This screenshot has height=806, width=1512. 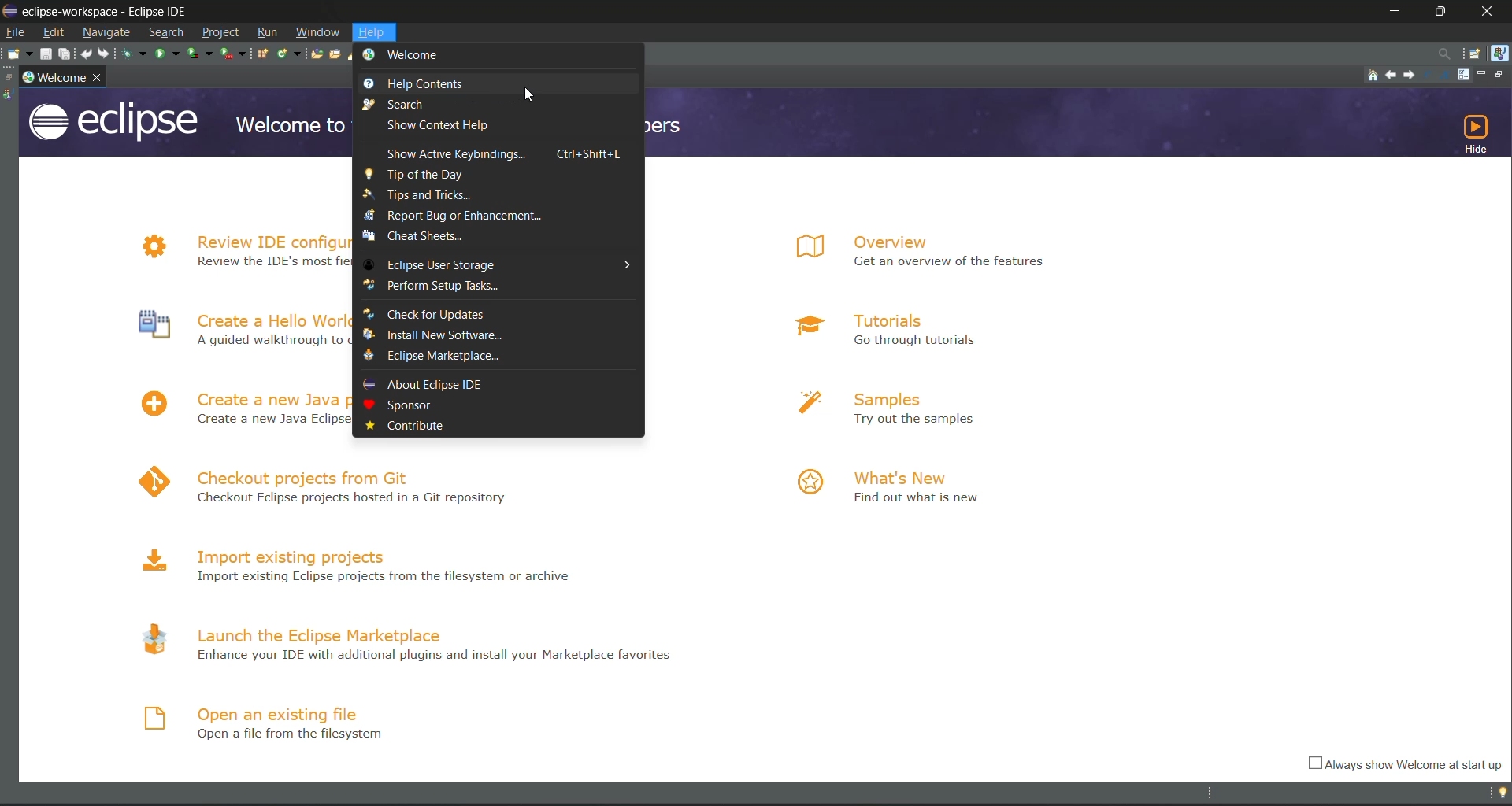 What do you see at coordinates (358, 502) in the screenshot?
I see `Checkout Eclipse projects hosted in a Git repository` at bounding box center [358, 502].